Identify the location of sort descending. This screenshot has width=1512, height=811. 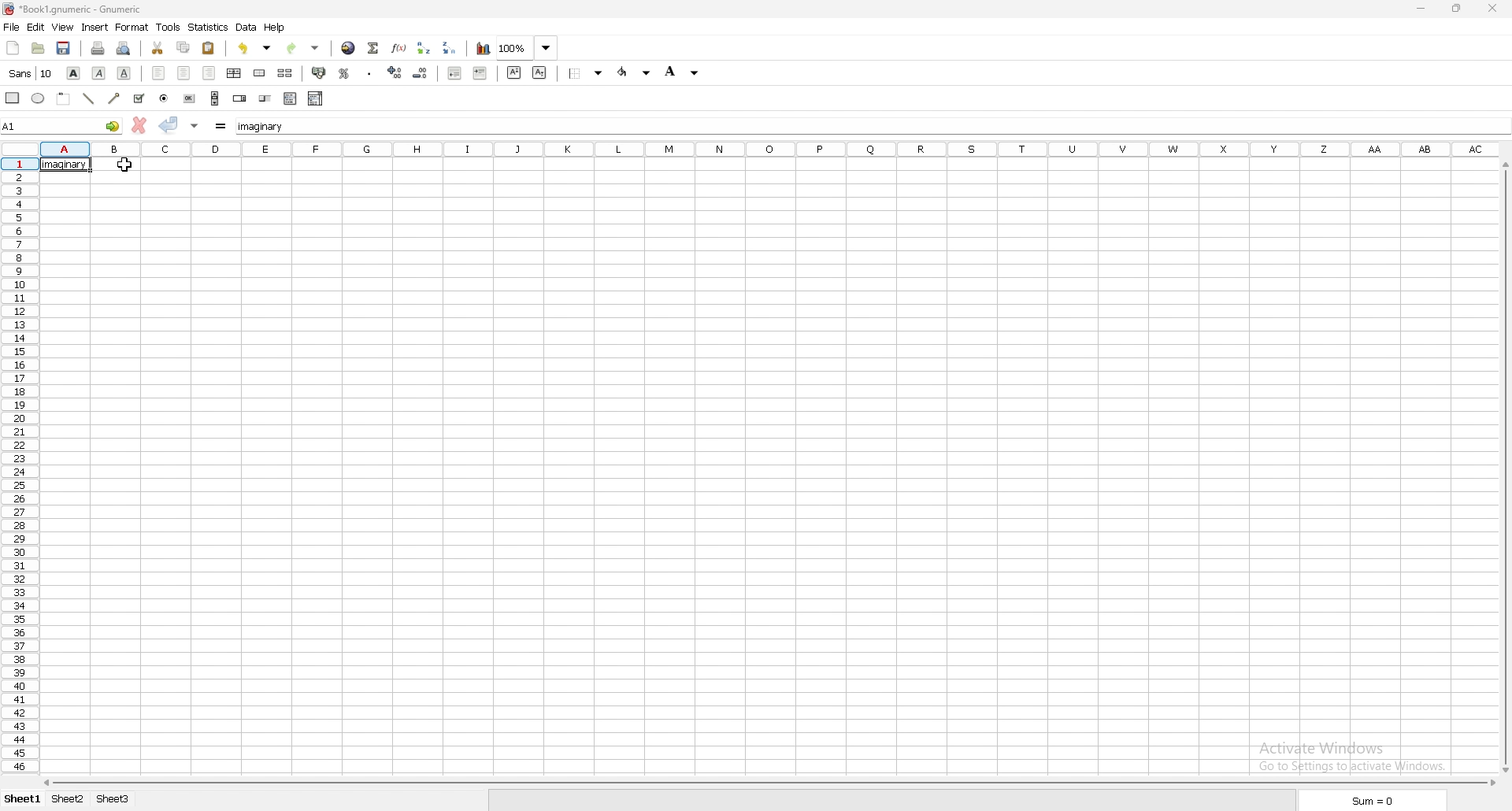
(450, 48).